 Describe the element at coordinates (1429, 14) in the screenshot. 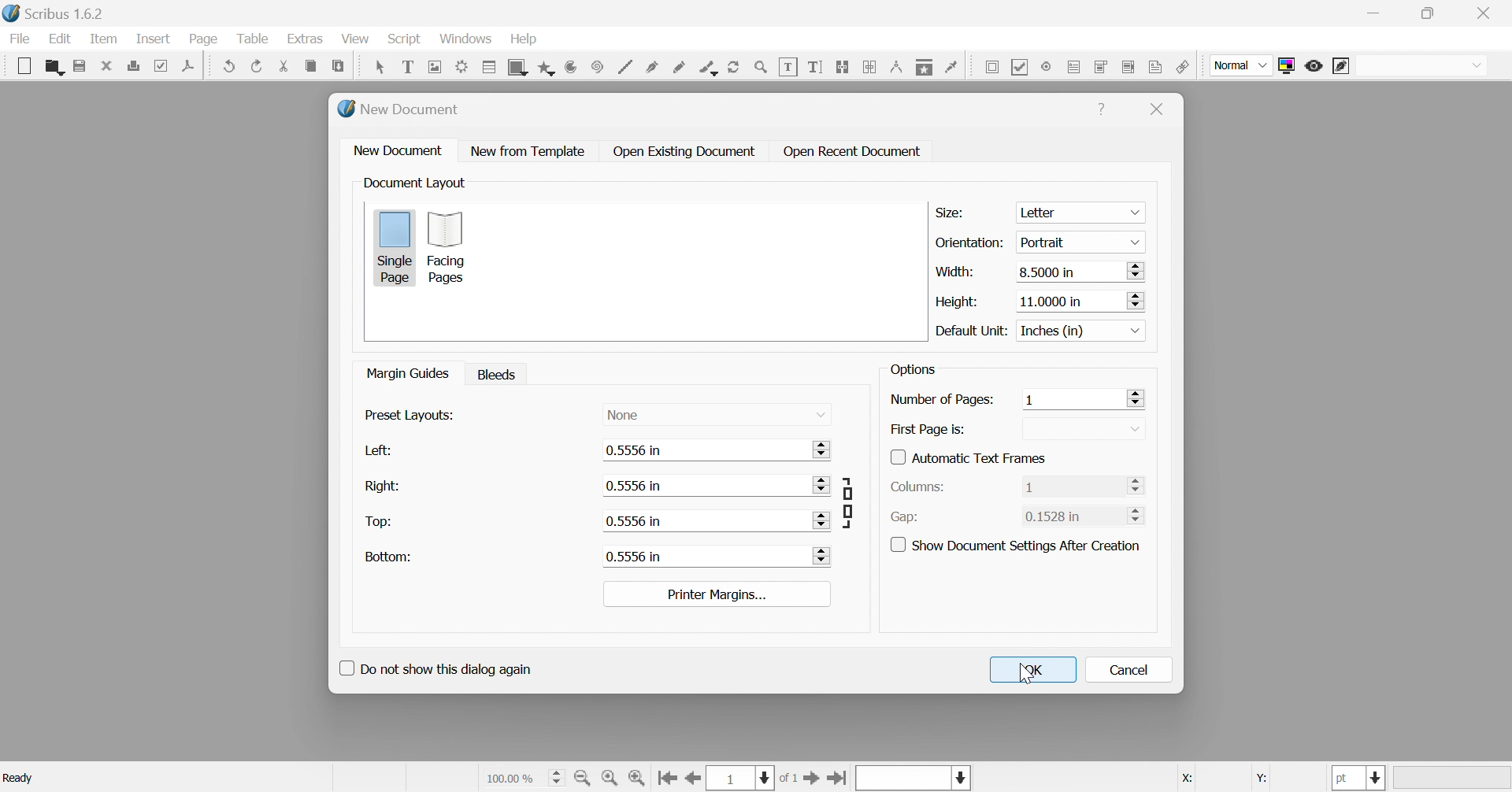

I see `restore down` at that location.